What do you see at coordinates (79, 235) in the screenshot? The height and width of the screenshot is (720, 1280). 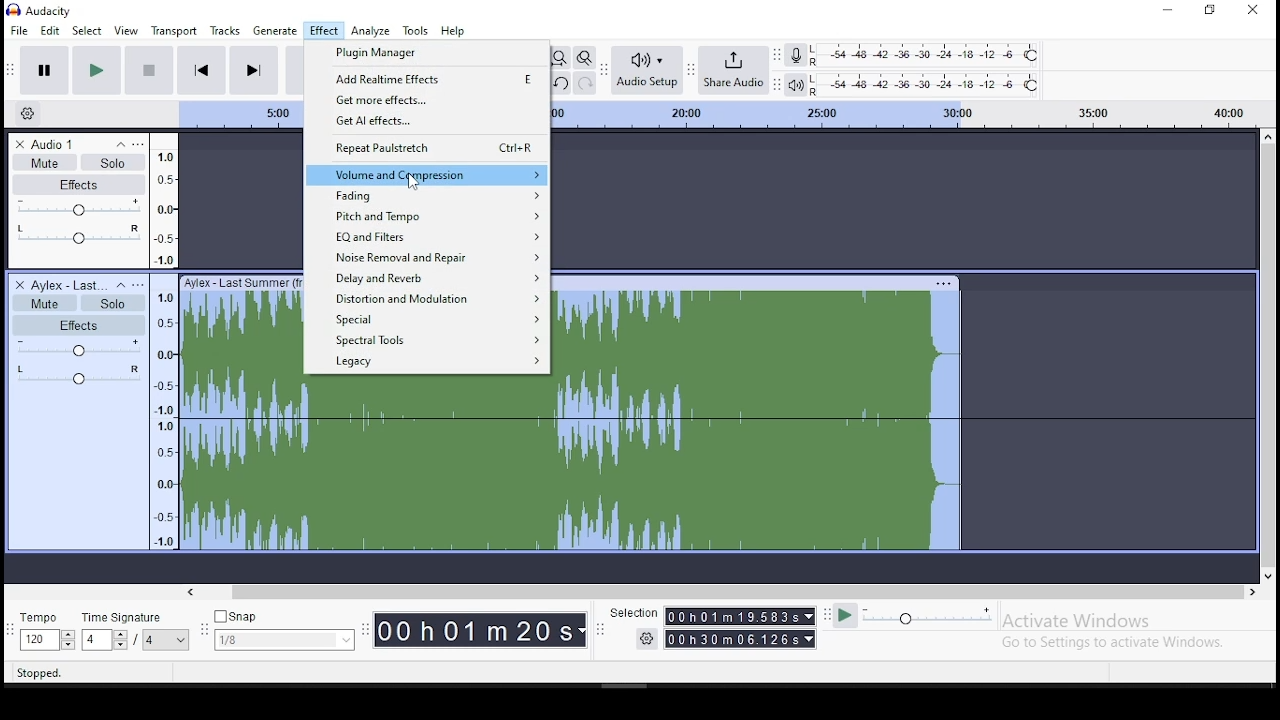 I see `pan` at bounding box center [79, 235].